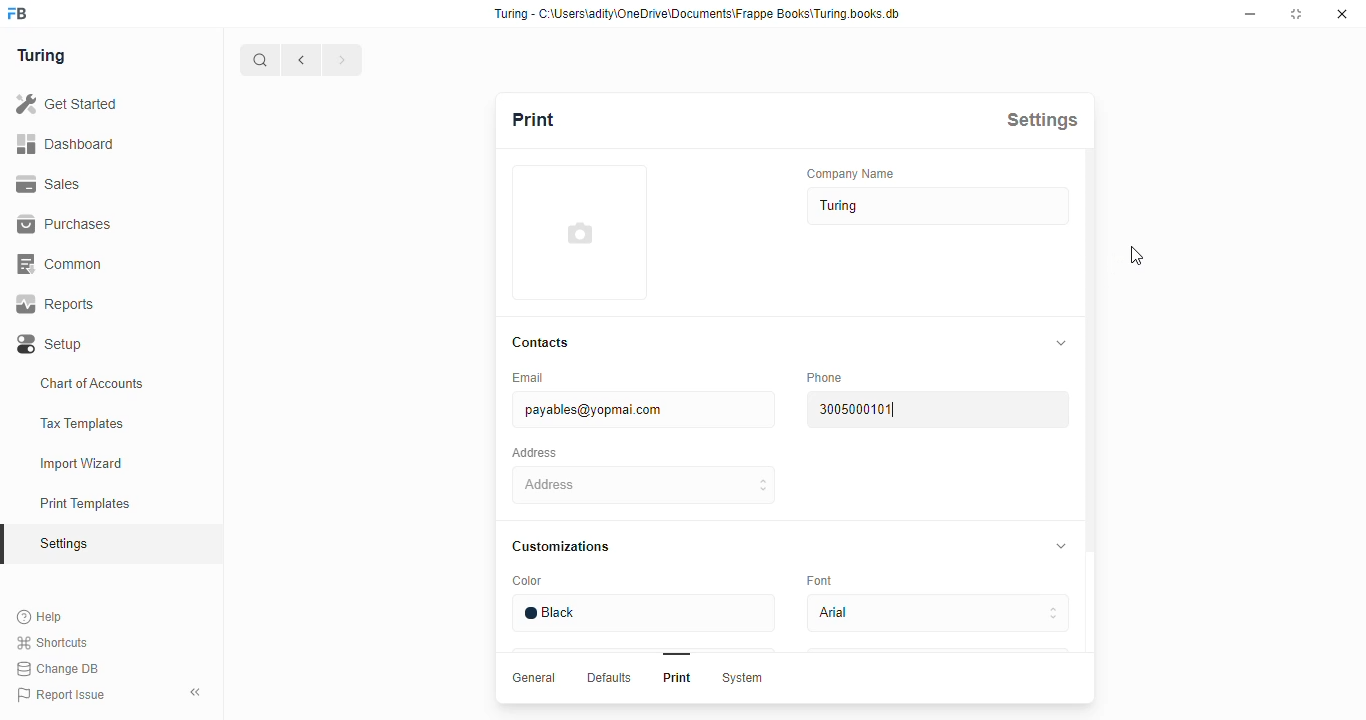  Describe the element at coordinates (63, 695) in the screenshot. I see `Report Issue` at that location.